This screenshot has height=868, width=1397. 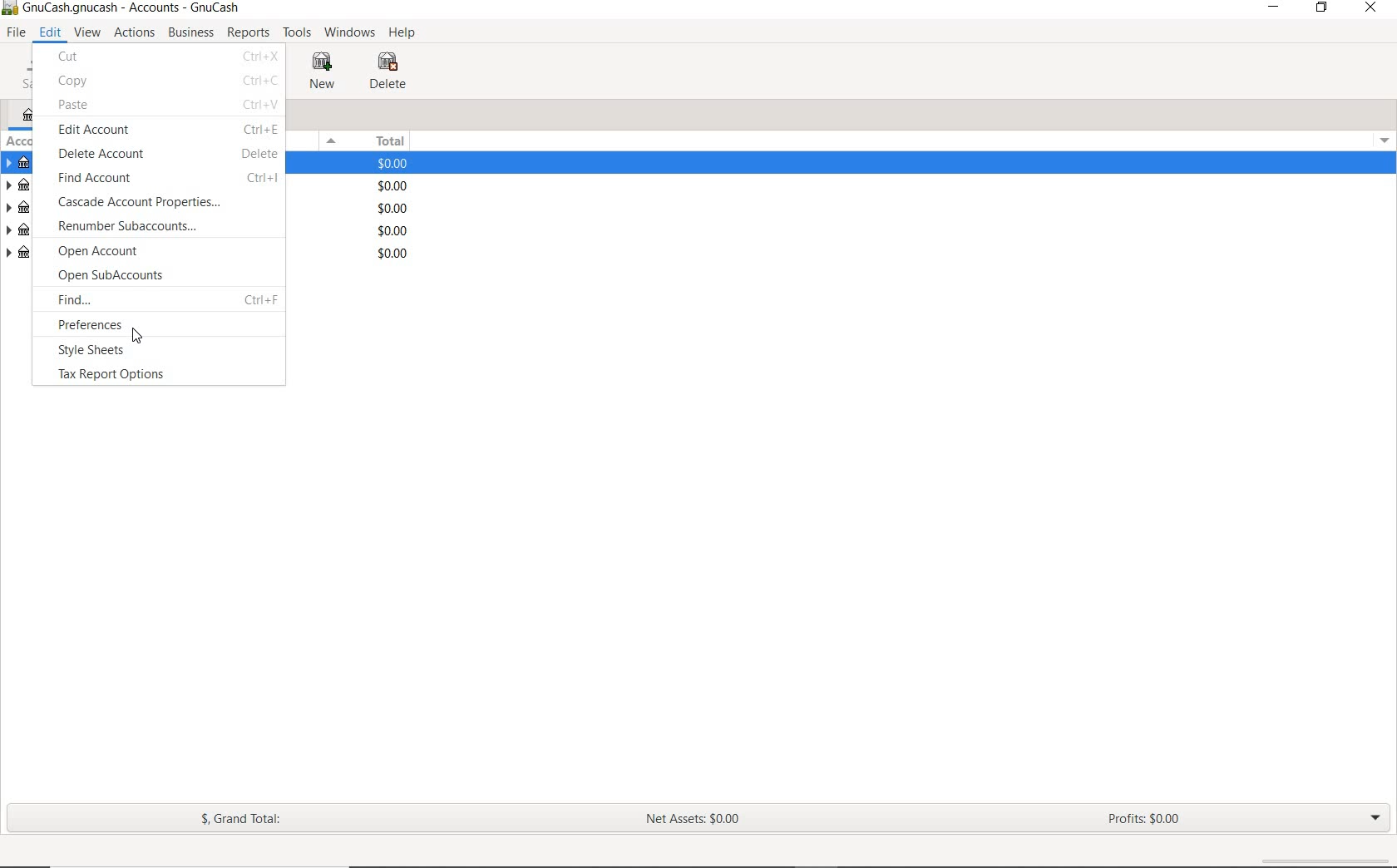 What do you see at coordinates (248, 33) in the screenshot?
I see `REPORTS` at bounding box center [248, 33].